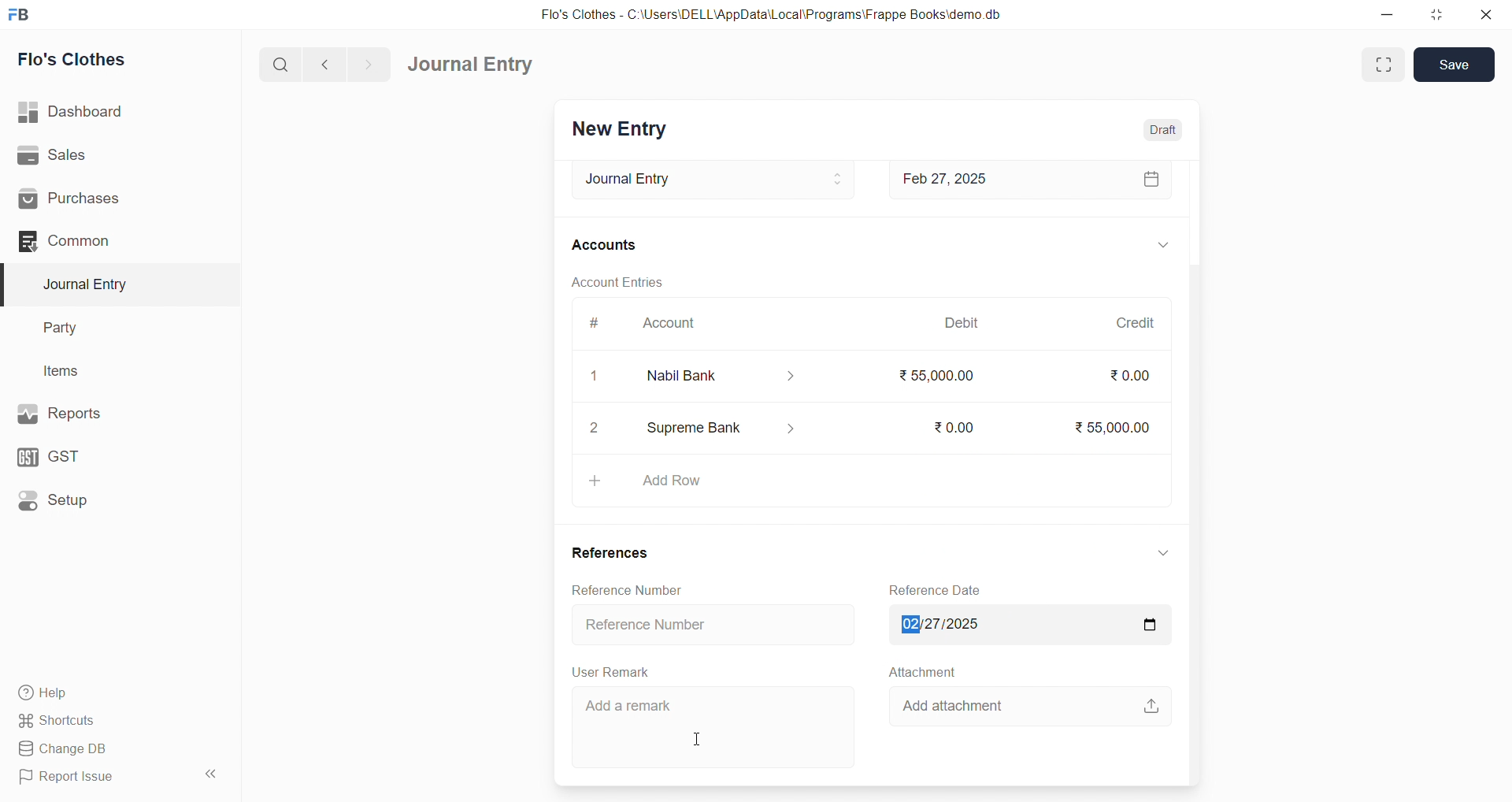 This screenshot has width=1512, height=802. Describe the element at coordinates (1028, 704) in the screenshot. I see `Add attachment` at that location.